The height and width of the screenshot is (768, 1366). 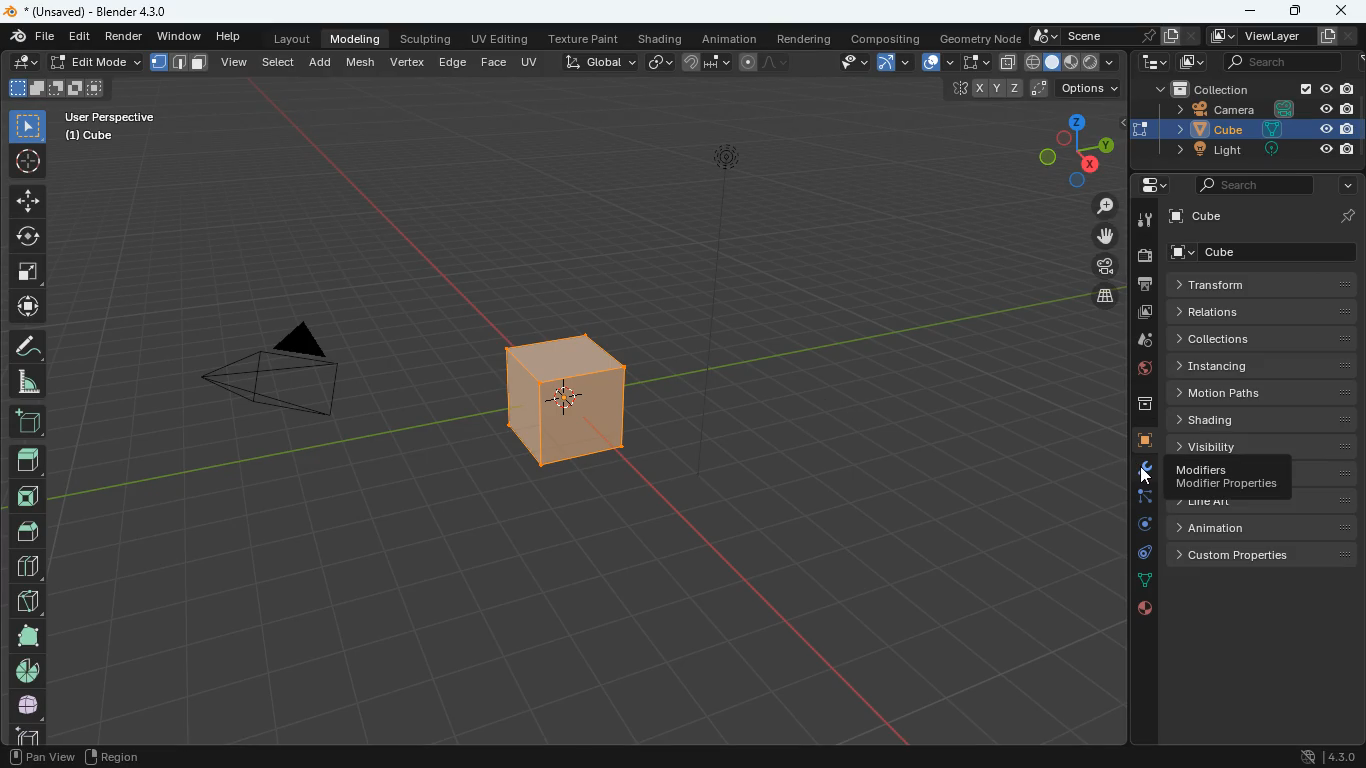 I want to click on head, so click(x=27, y=460).